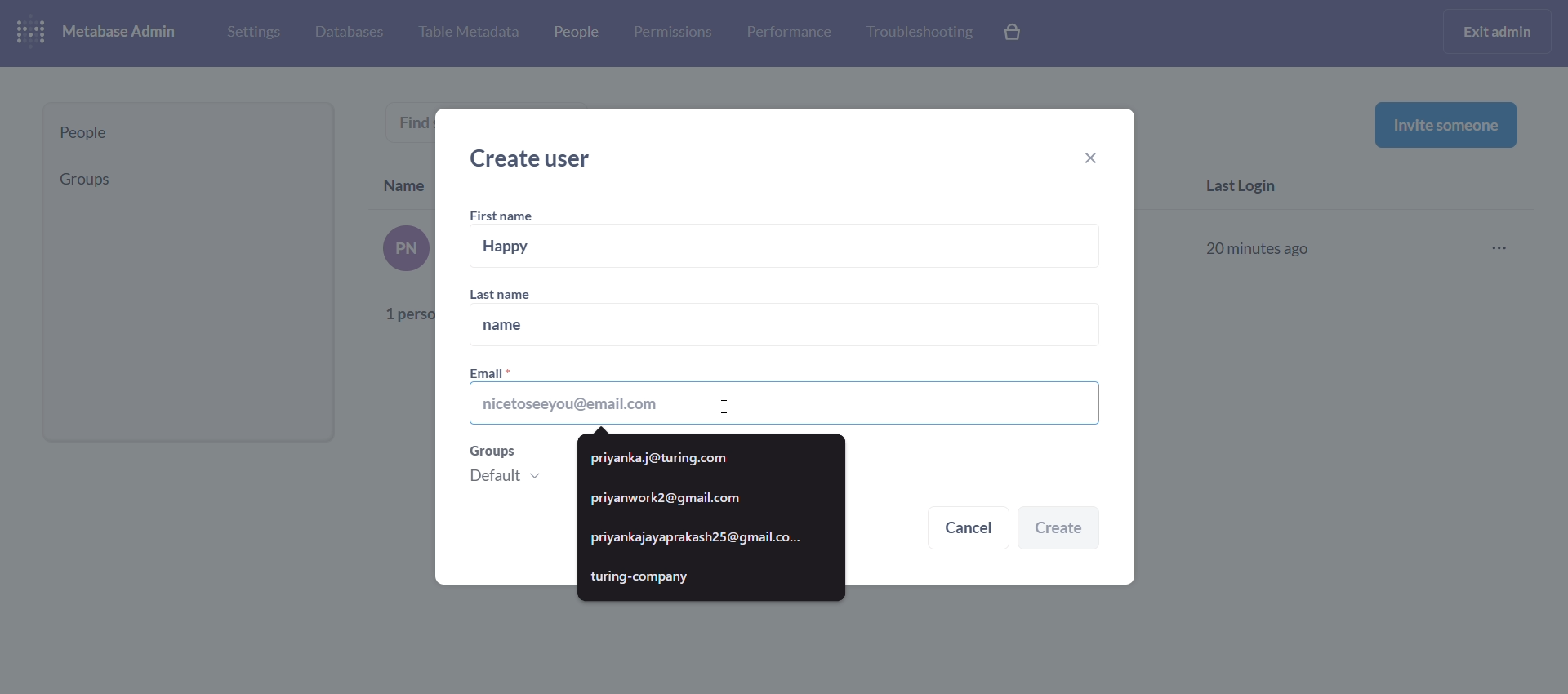  I want to click on last login, so click(1249, 188).